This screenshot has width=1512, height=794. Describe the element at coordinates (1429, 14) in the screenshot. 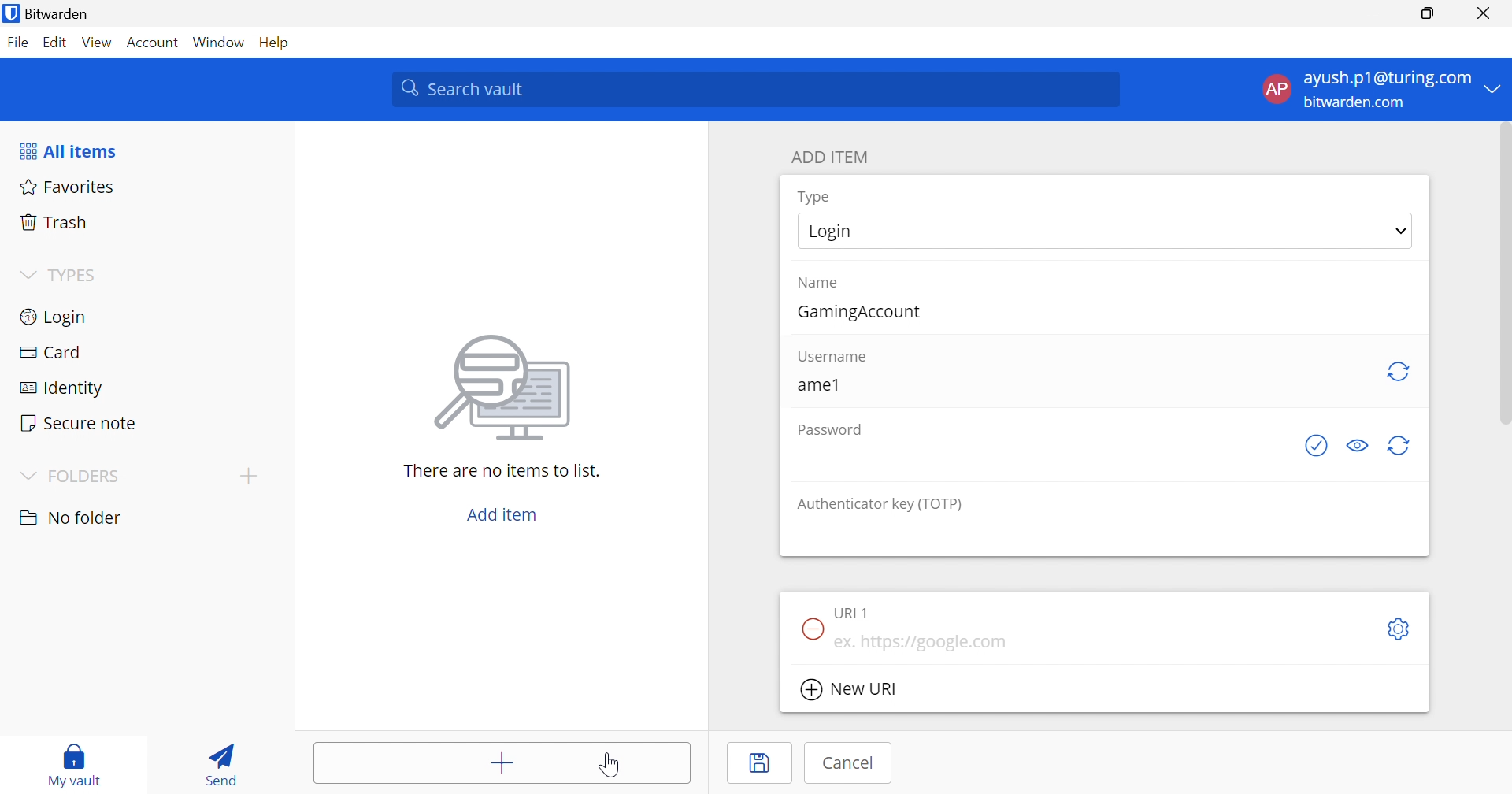

I see `Restore Down` at that location.